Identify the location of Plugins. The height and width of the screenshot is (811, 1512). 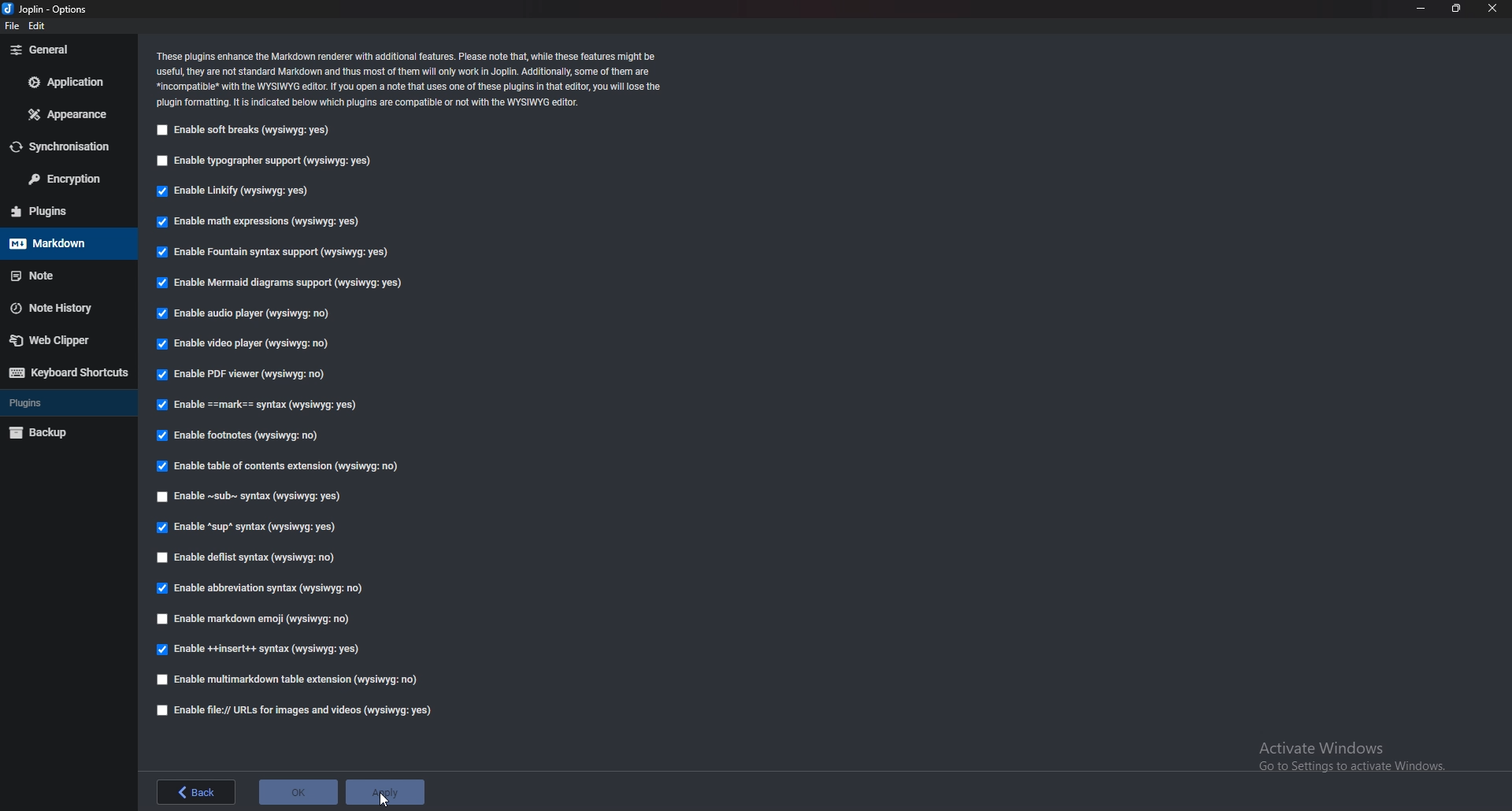
(68, 403).